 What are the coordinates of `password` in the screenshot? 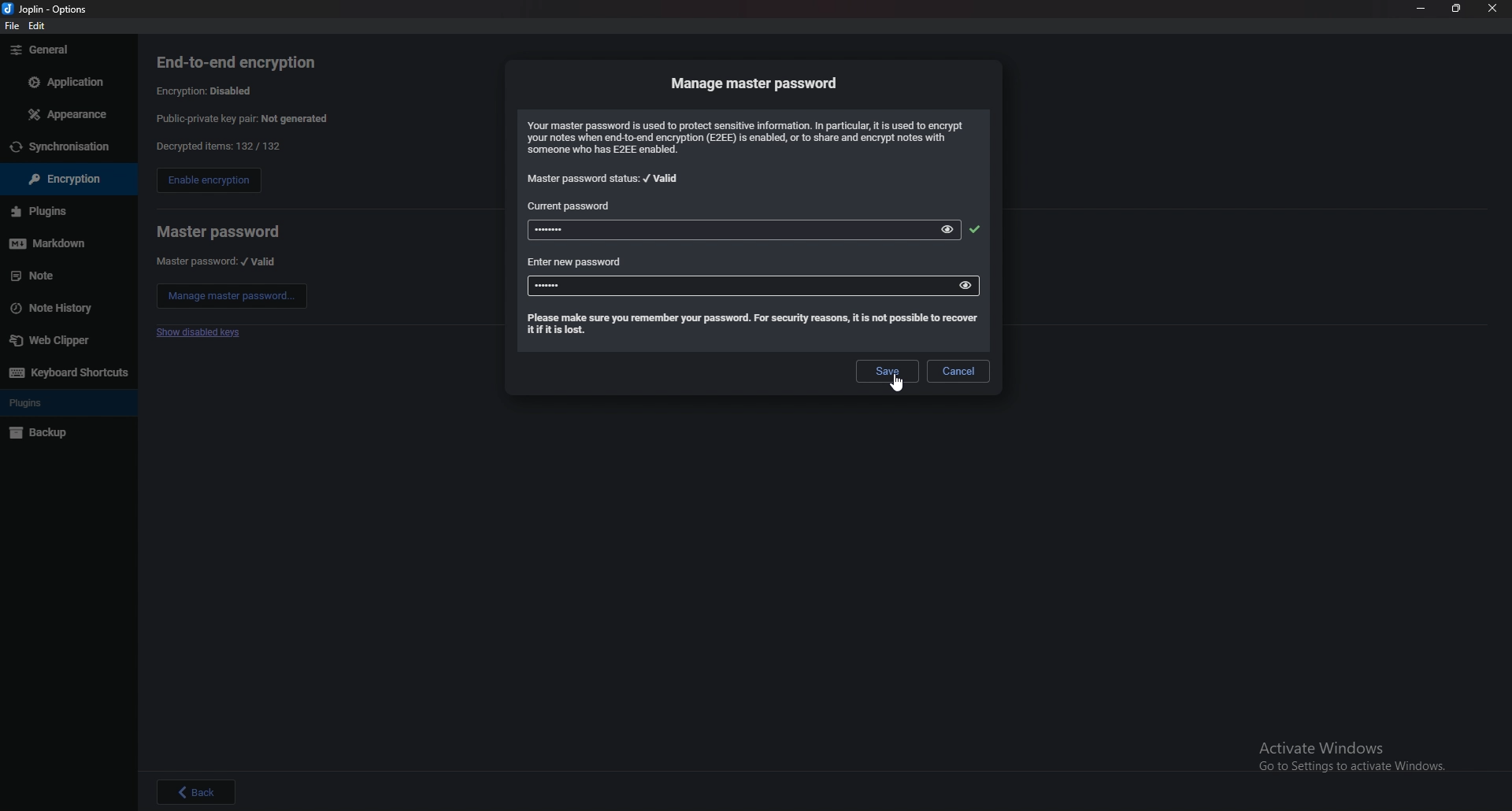 It's located at (717, 231).